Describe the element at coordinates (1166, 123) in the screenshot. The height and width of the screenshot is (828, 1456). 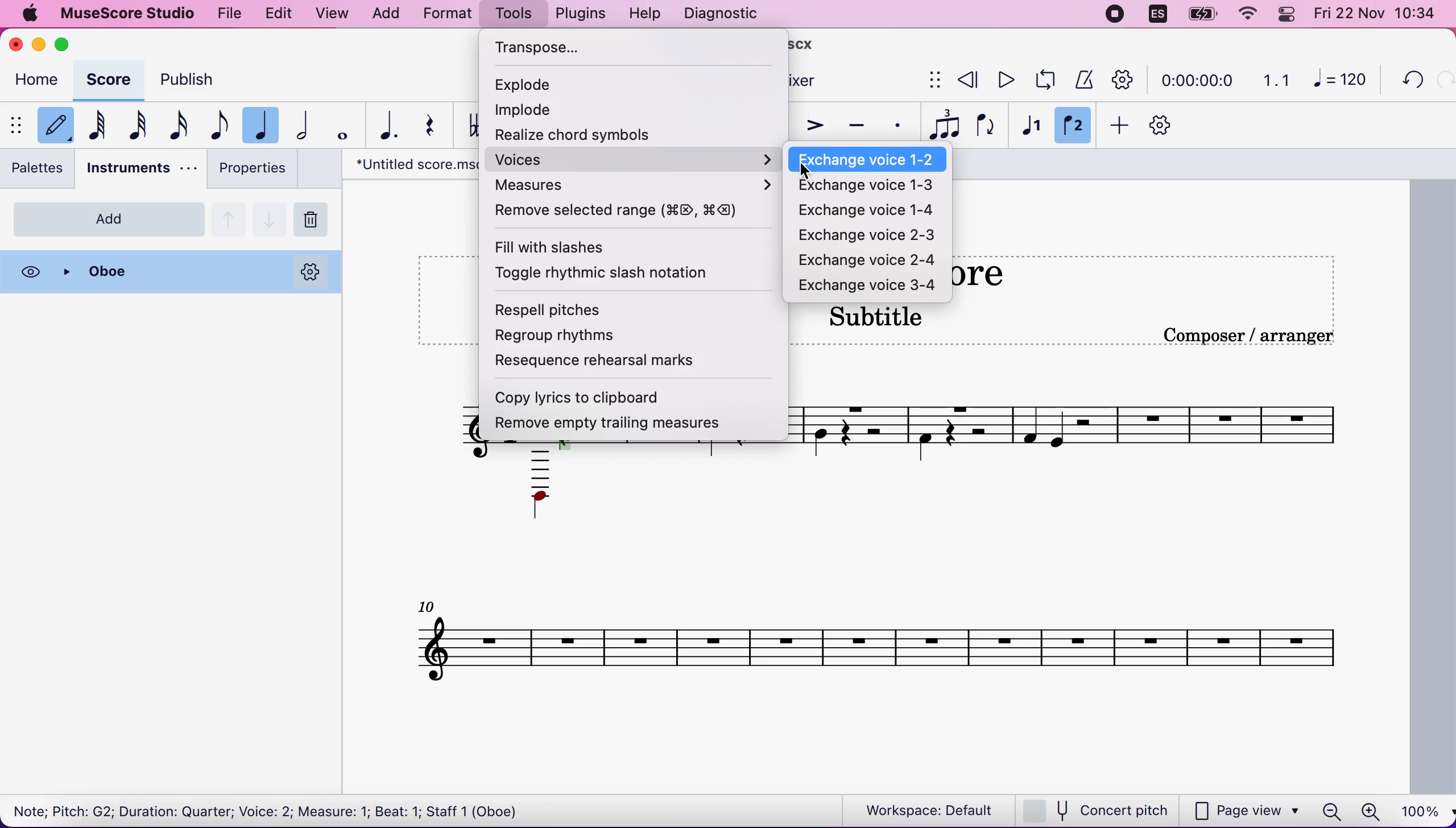
I see `customization tool` at that location.